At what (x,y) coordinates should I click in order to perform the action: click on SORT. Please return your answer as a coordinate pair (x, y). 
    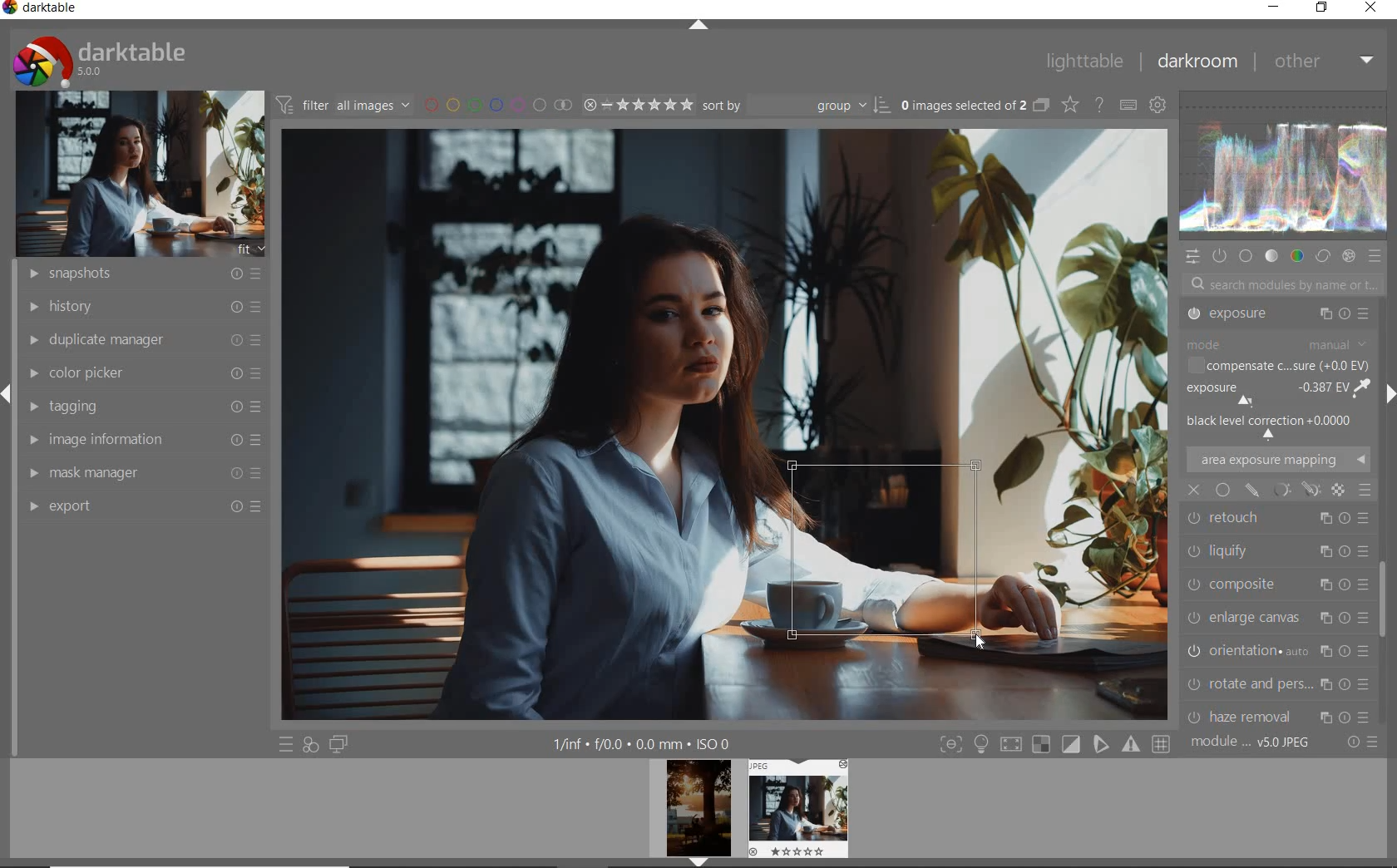
    Looking at the image, I should click on (793, 106).